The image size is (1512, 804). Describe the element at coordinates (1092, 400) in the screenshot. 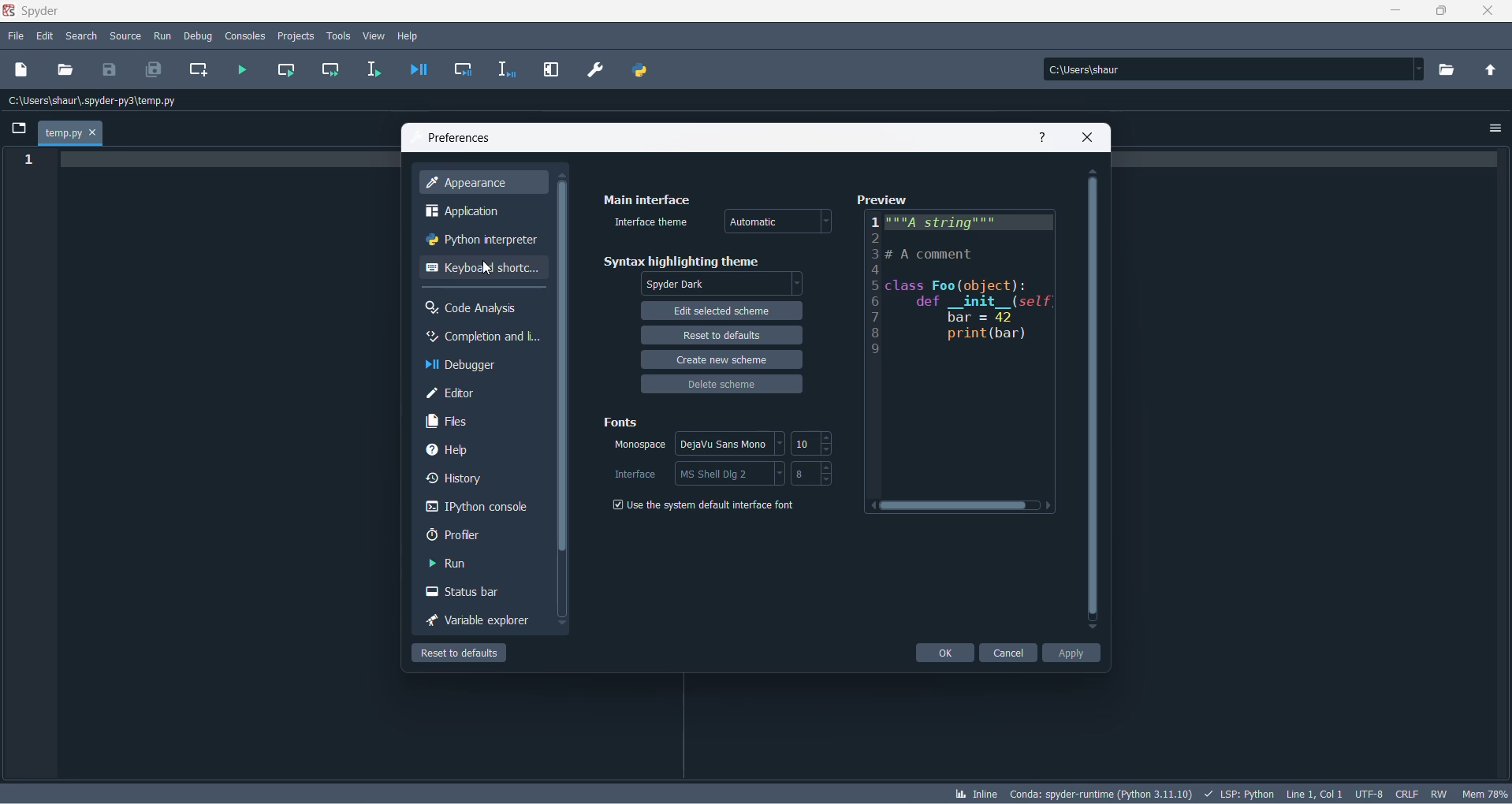

I see `scrollbar` at that location.